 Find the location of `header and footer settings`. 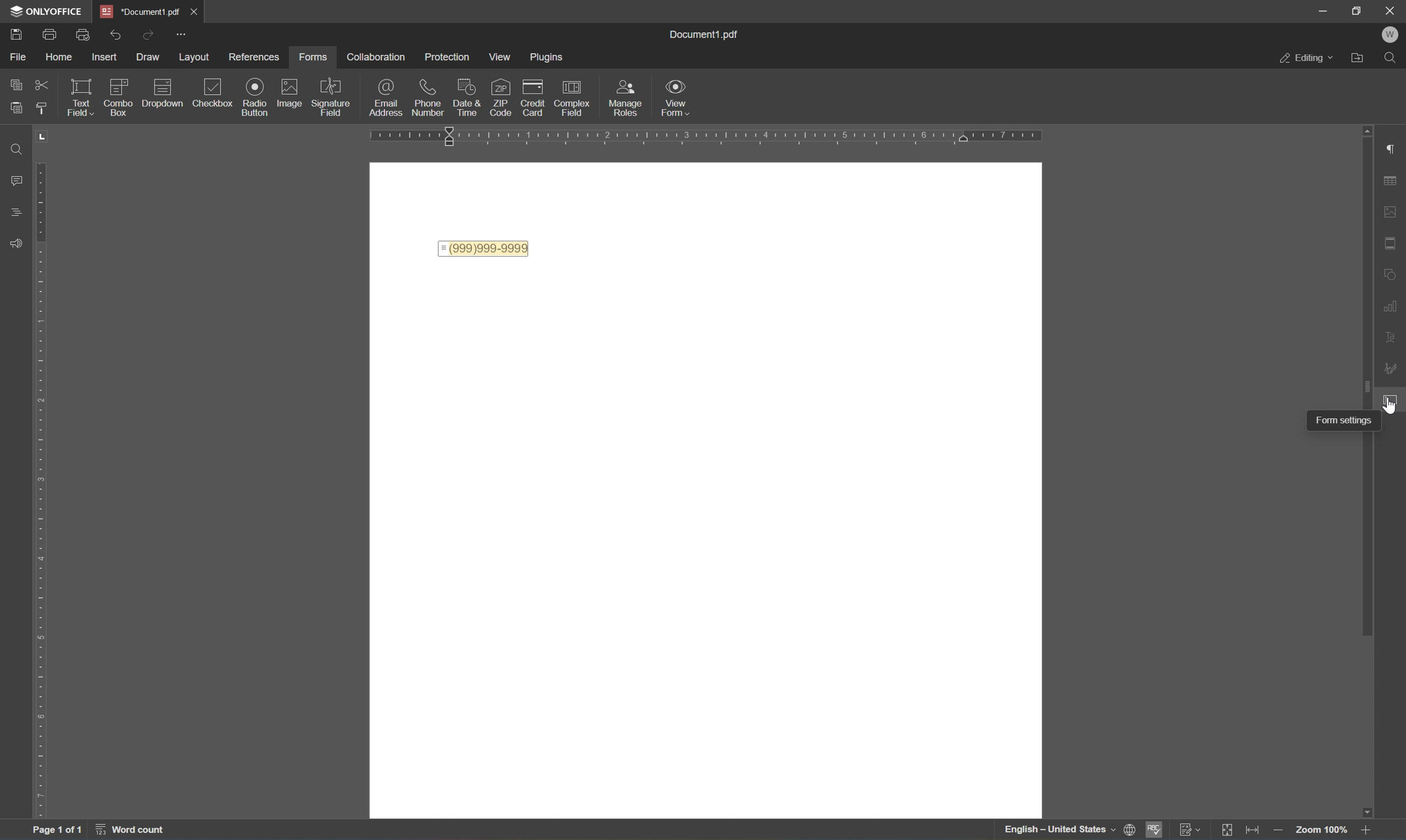

header and footer settings is located at coordinates (1394, 247).